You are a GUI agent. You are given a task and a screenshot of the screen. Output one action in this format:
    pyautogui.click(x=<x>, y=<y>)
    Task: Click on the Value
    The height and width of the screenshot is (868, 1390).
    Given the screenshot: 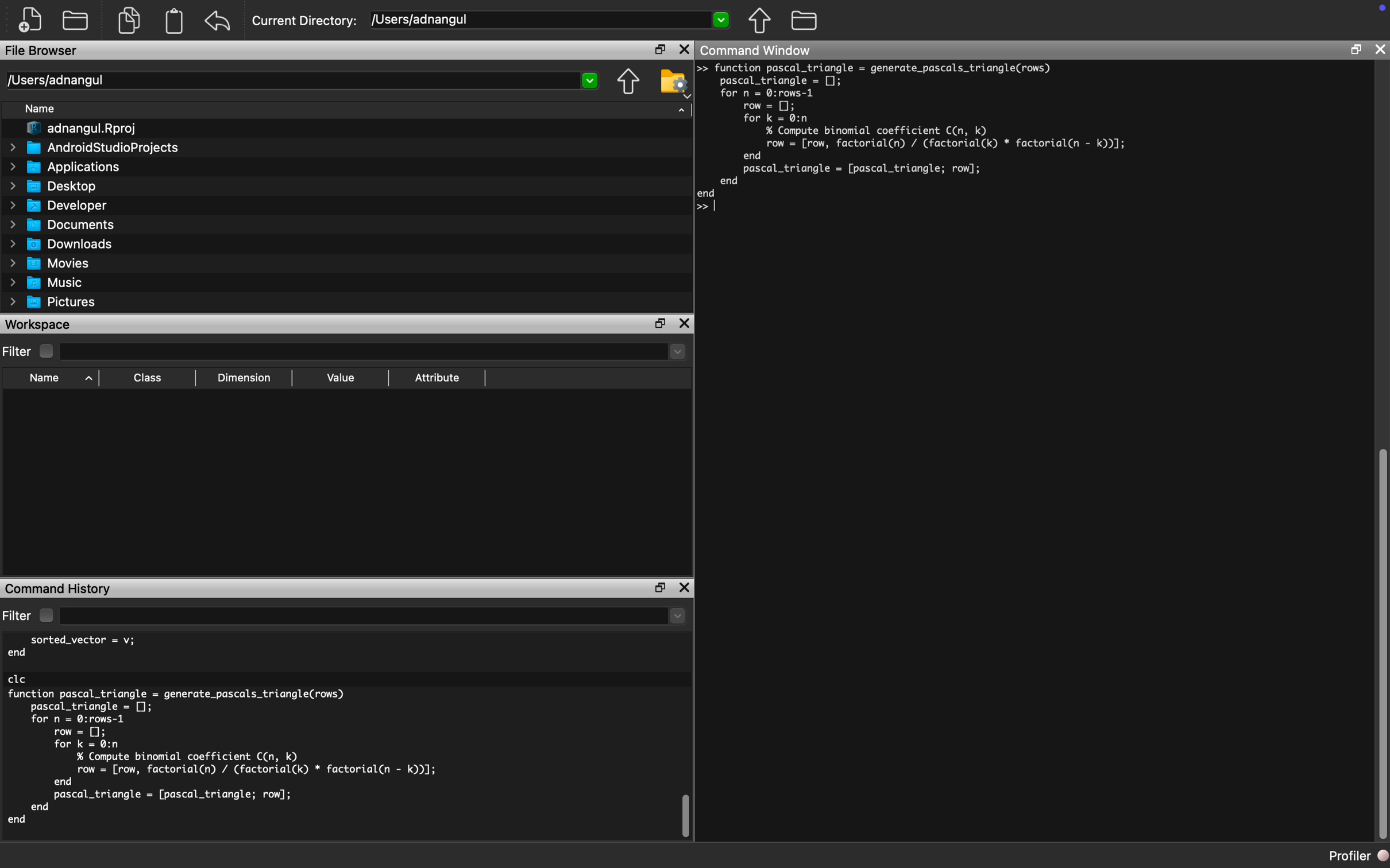 What is the action you would take?
    pyautogui.click(x=339, y=378)
    